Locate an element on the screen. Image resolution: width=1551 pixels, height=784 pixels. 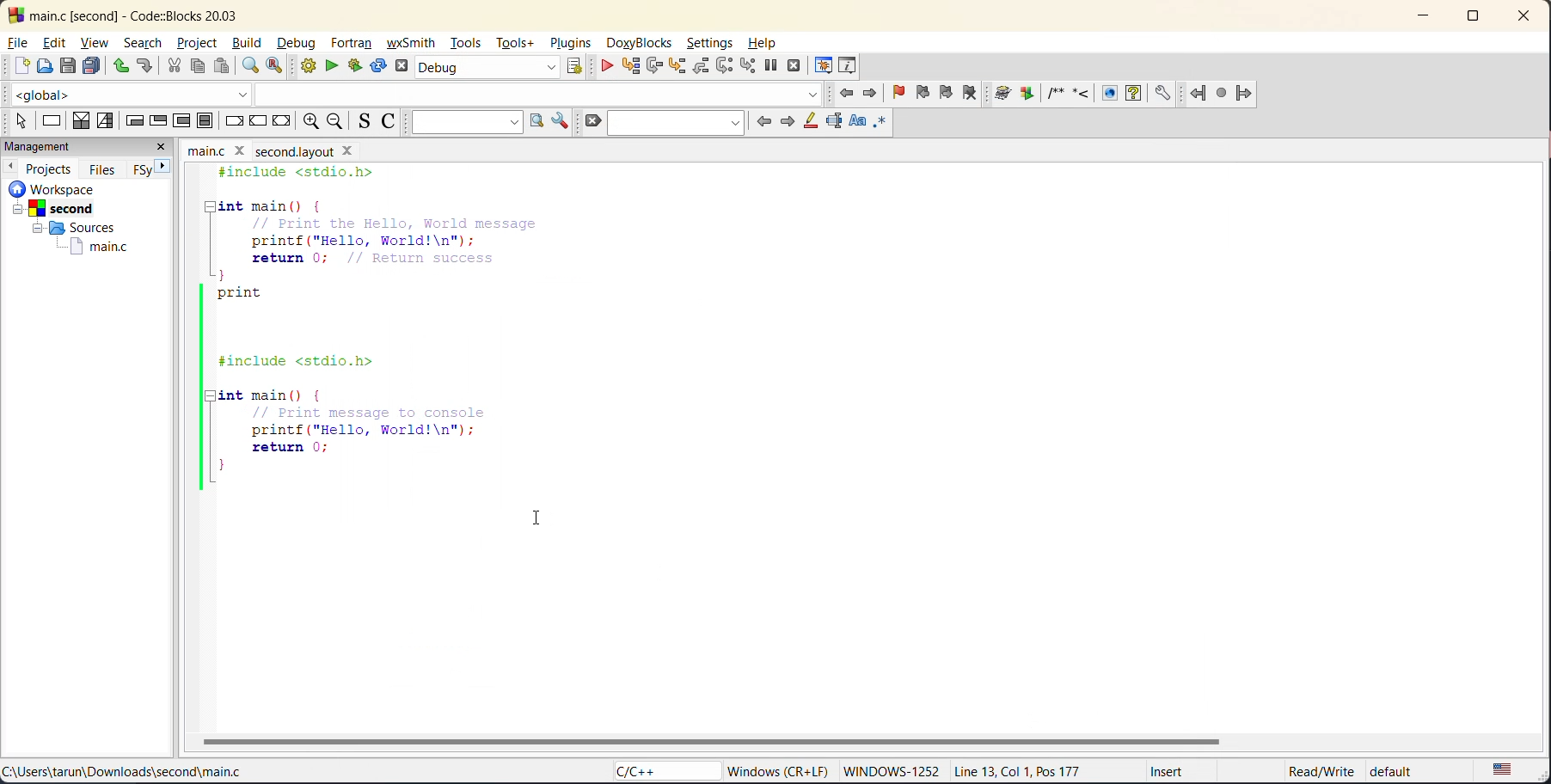
clear is located at coordinates (591, 120).